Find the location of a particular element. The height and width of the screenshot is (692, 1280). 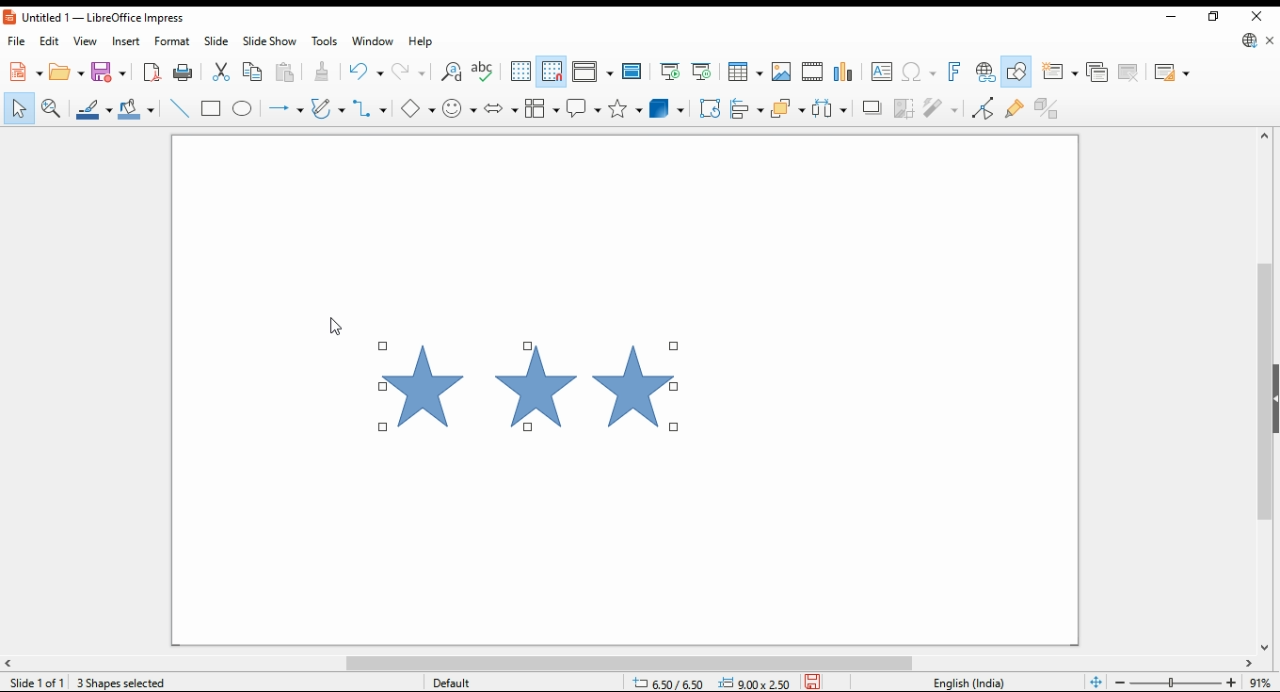

save is located at coordinates (812, 681).